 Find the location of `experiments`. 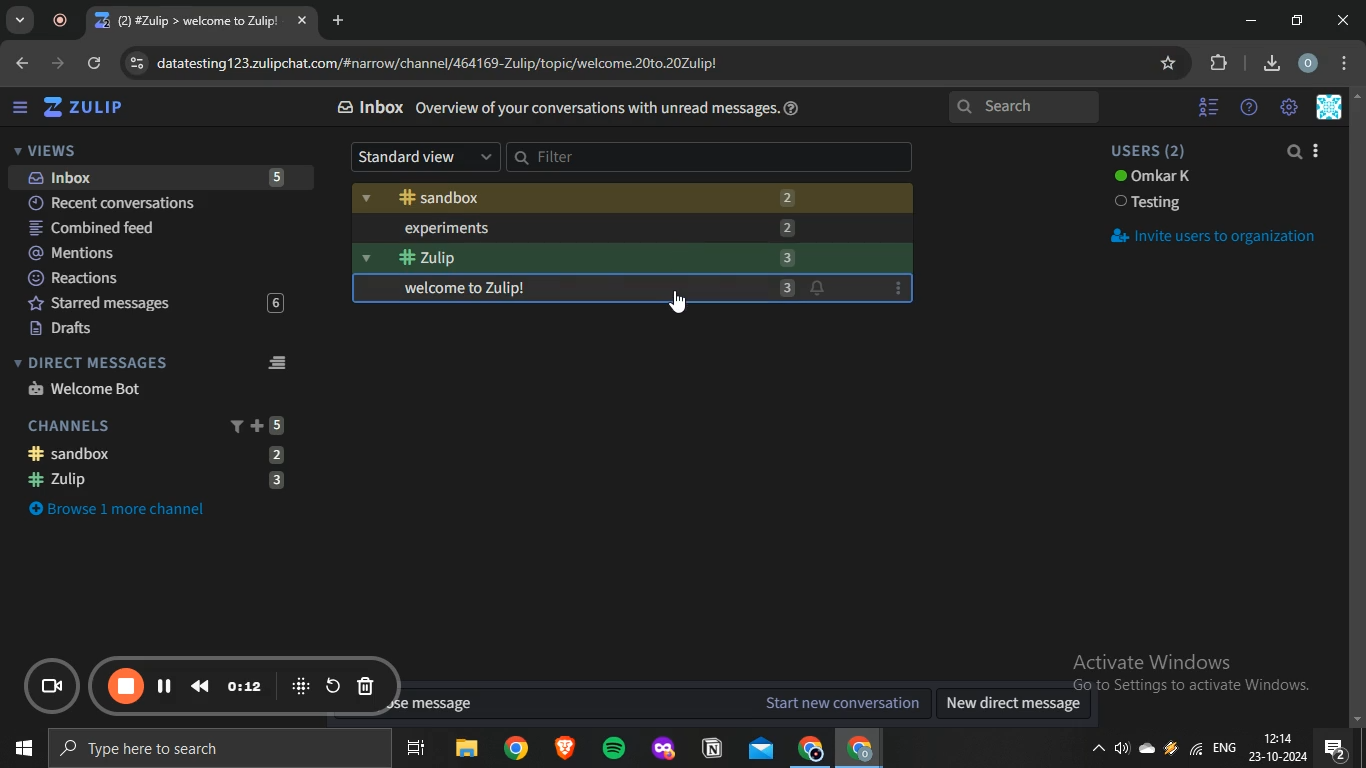

experiments is located at coordinates (634, 227).